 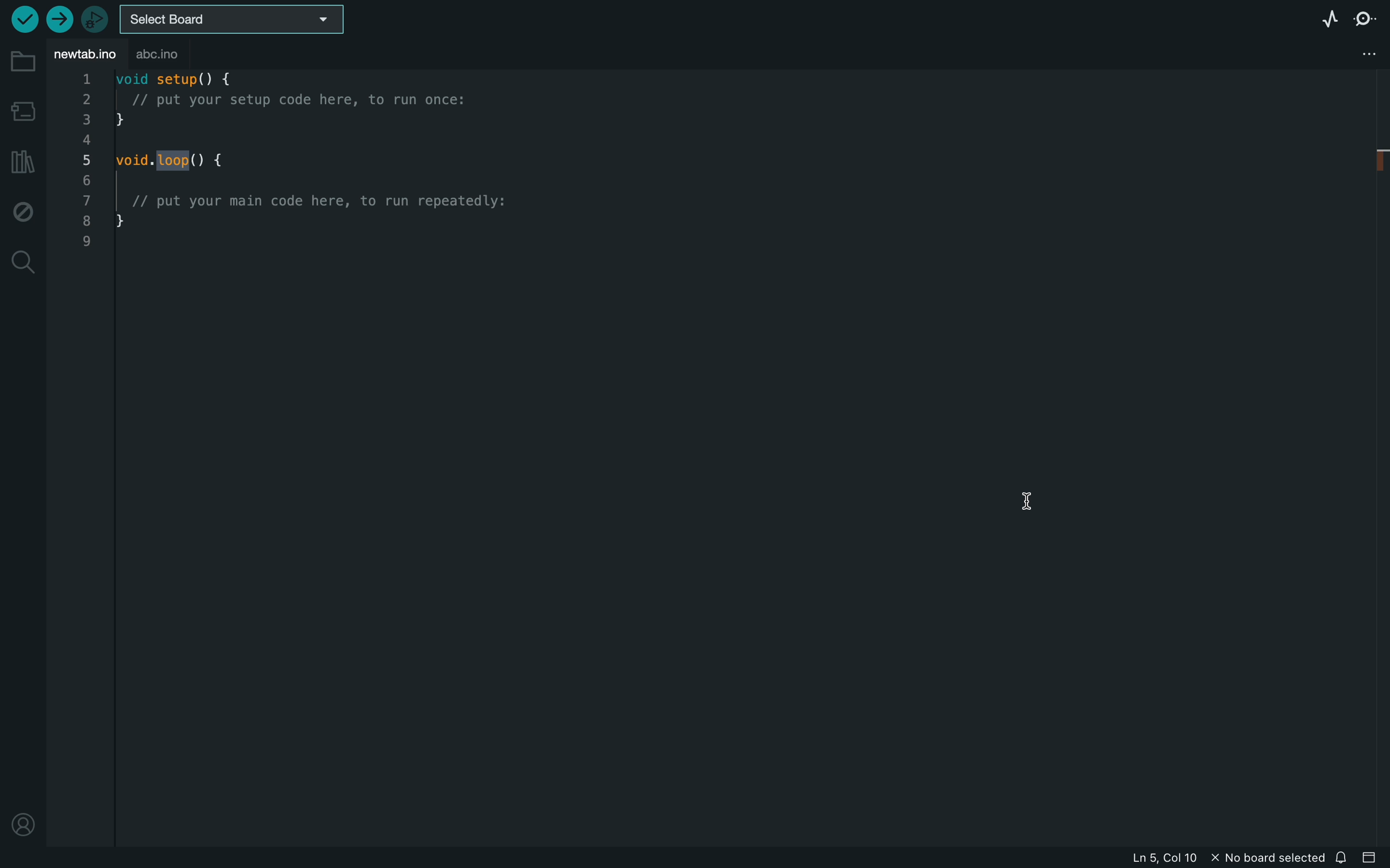 I want to click on debug, so click(x=21, y=212).